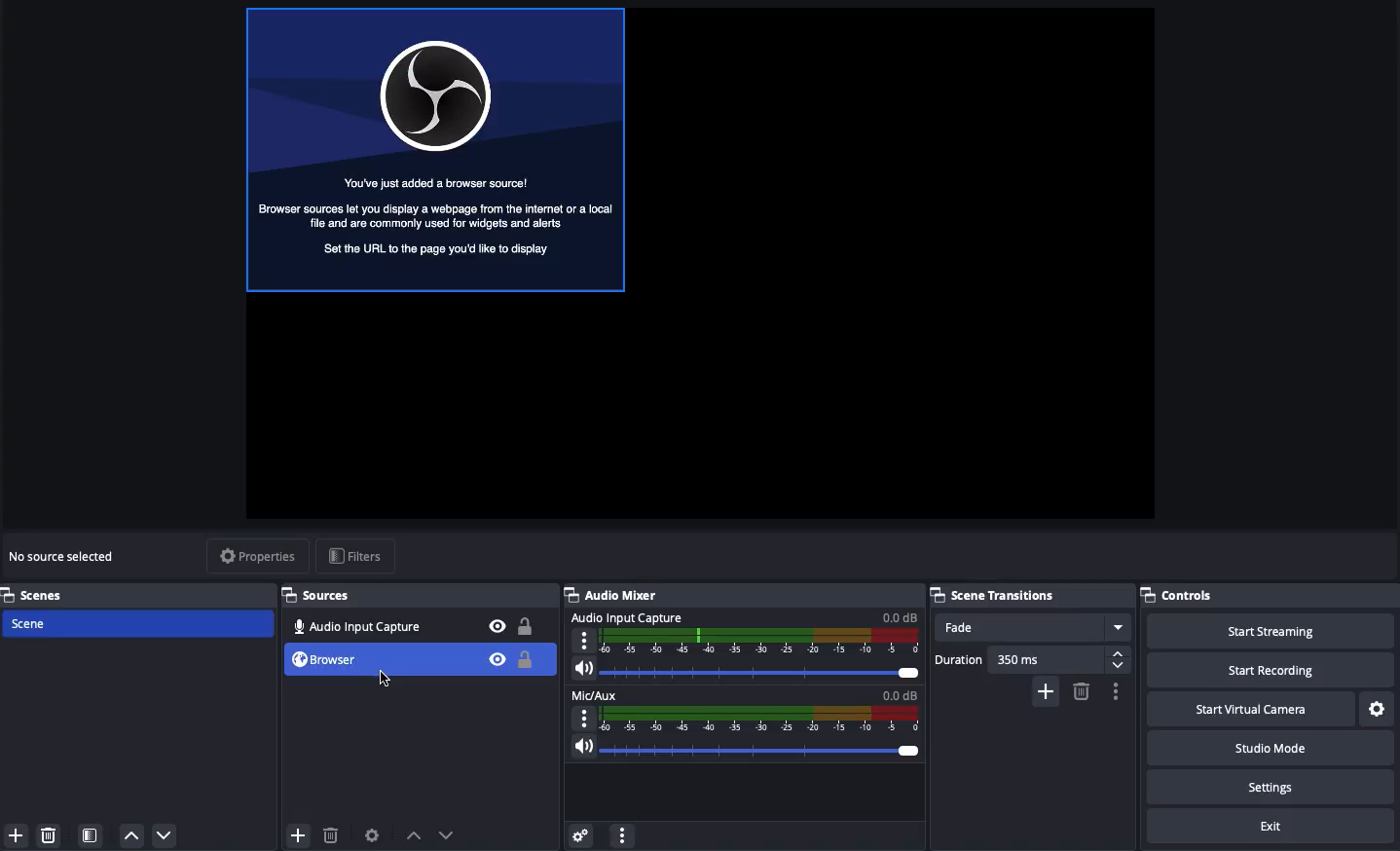  I want to click on Studio, so click(1269, 748).